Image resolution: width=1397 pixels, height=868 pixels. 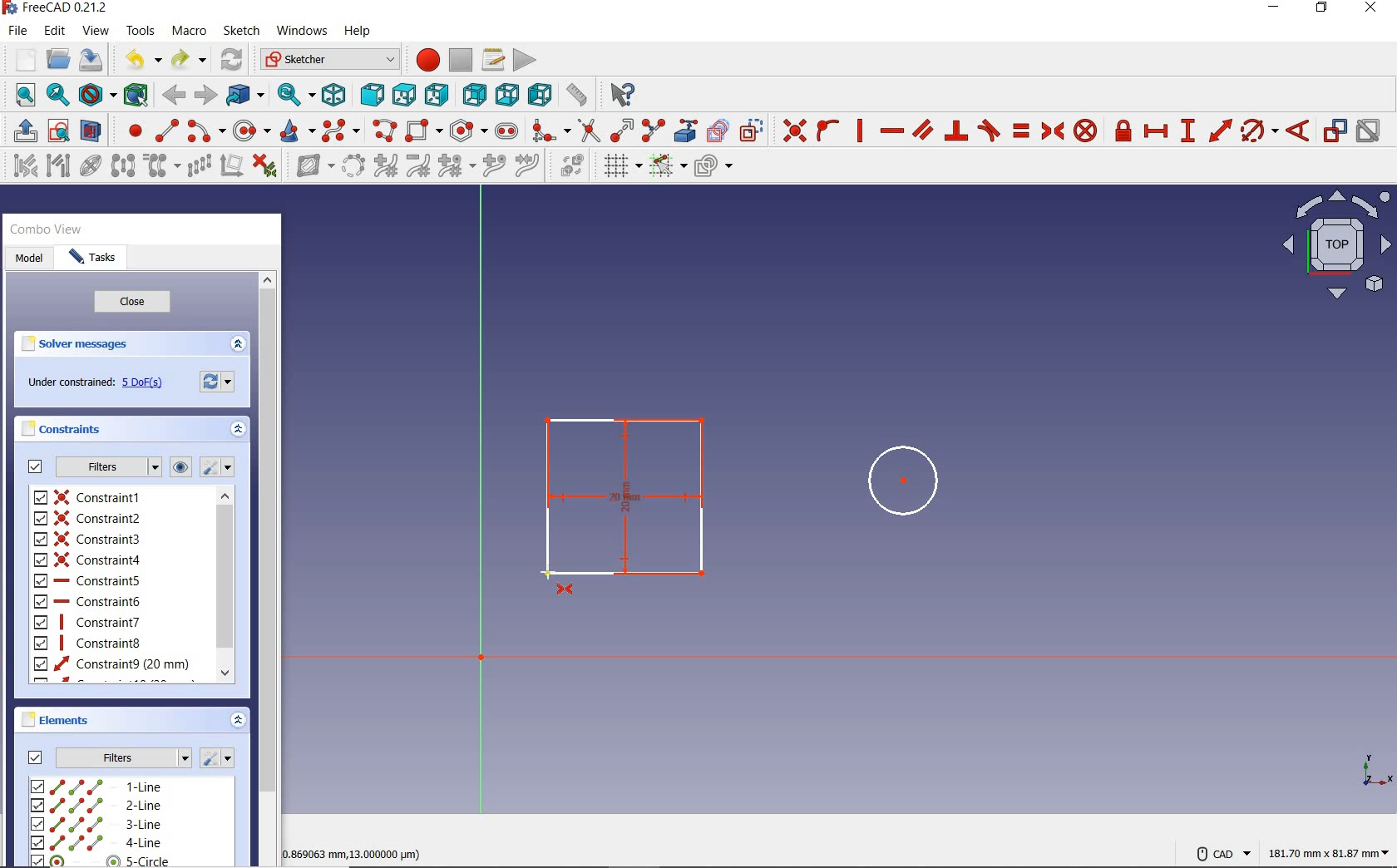 I want to click on show/hide b-spline information layer, so click(x=311, y=167).